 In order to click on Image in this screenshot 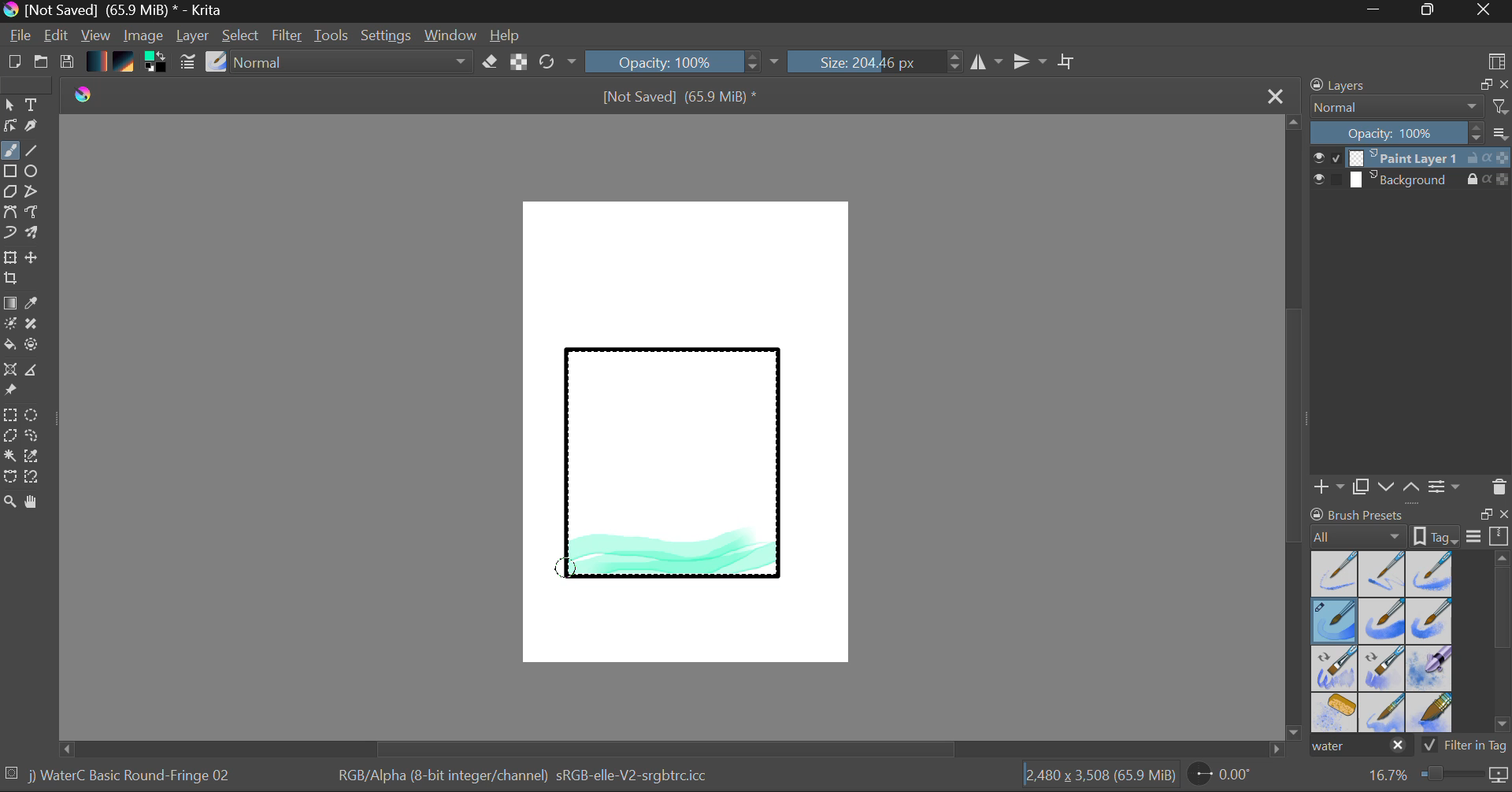, I will do `click(145, 37)`.